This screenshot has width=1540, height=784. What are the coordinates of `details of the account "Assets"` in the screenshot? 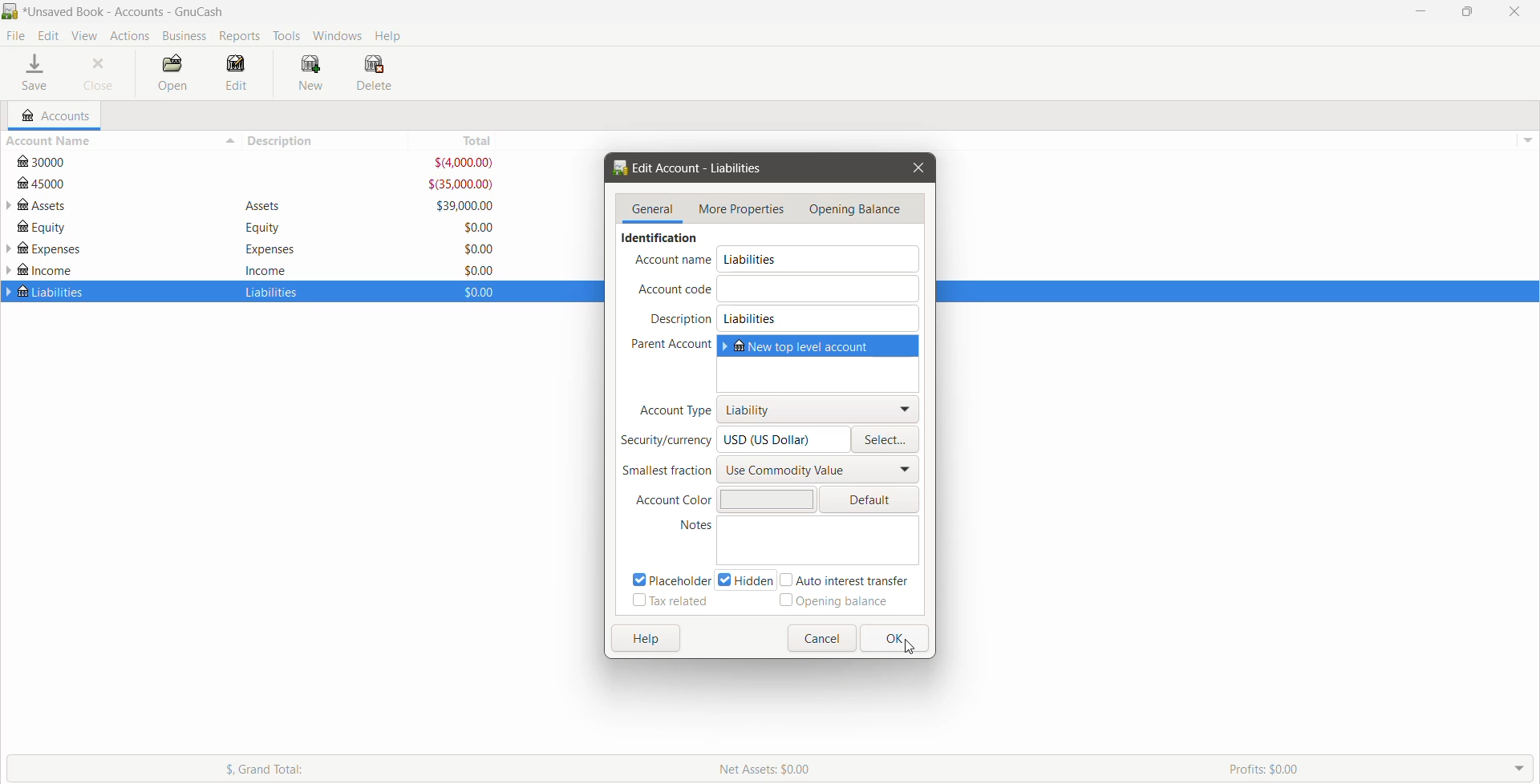 It's located at (264, 207).